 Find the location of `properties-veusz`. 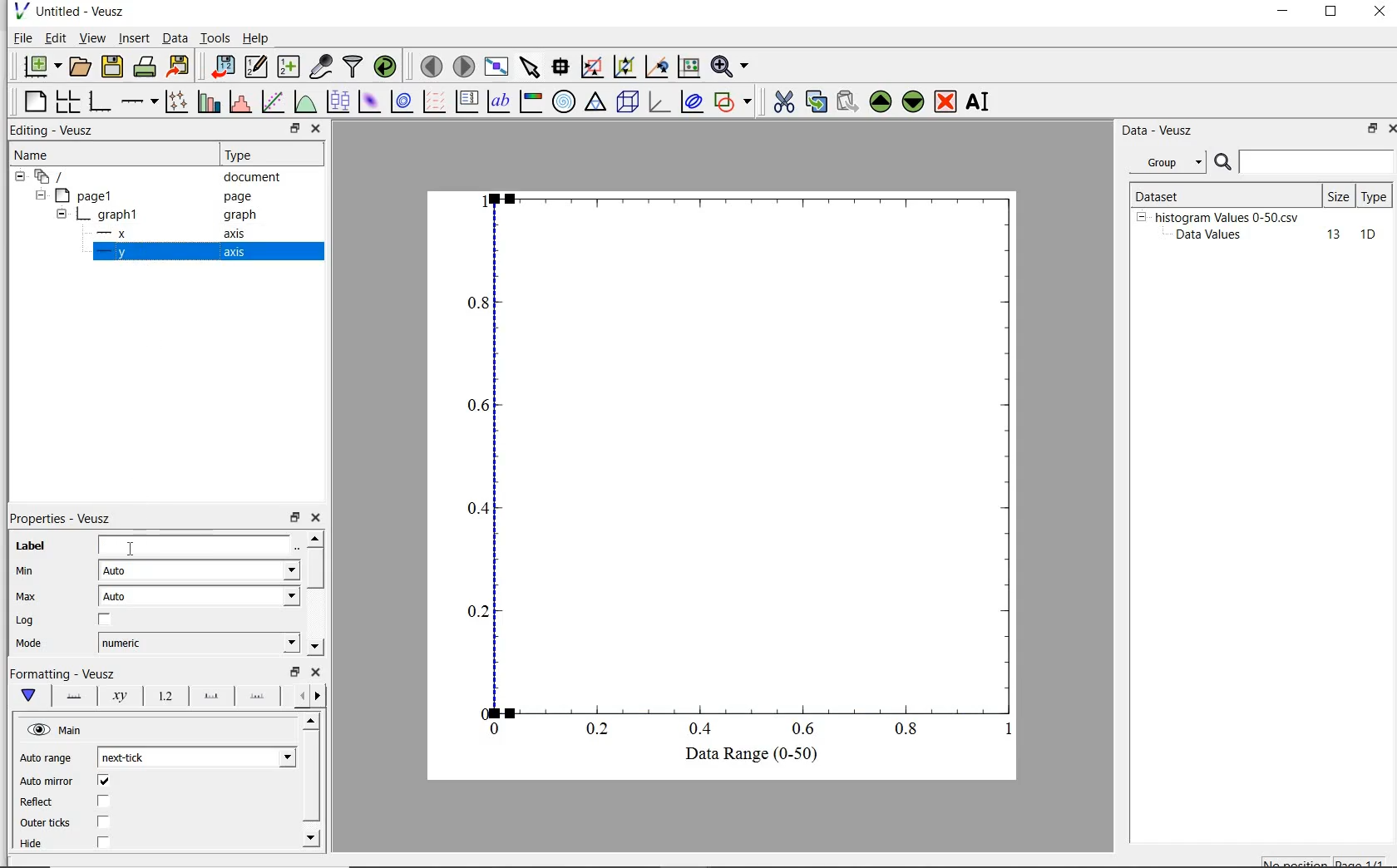

properties-veusz is located at coordinates (61, 519).